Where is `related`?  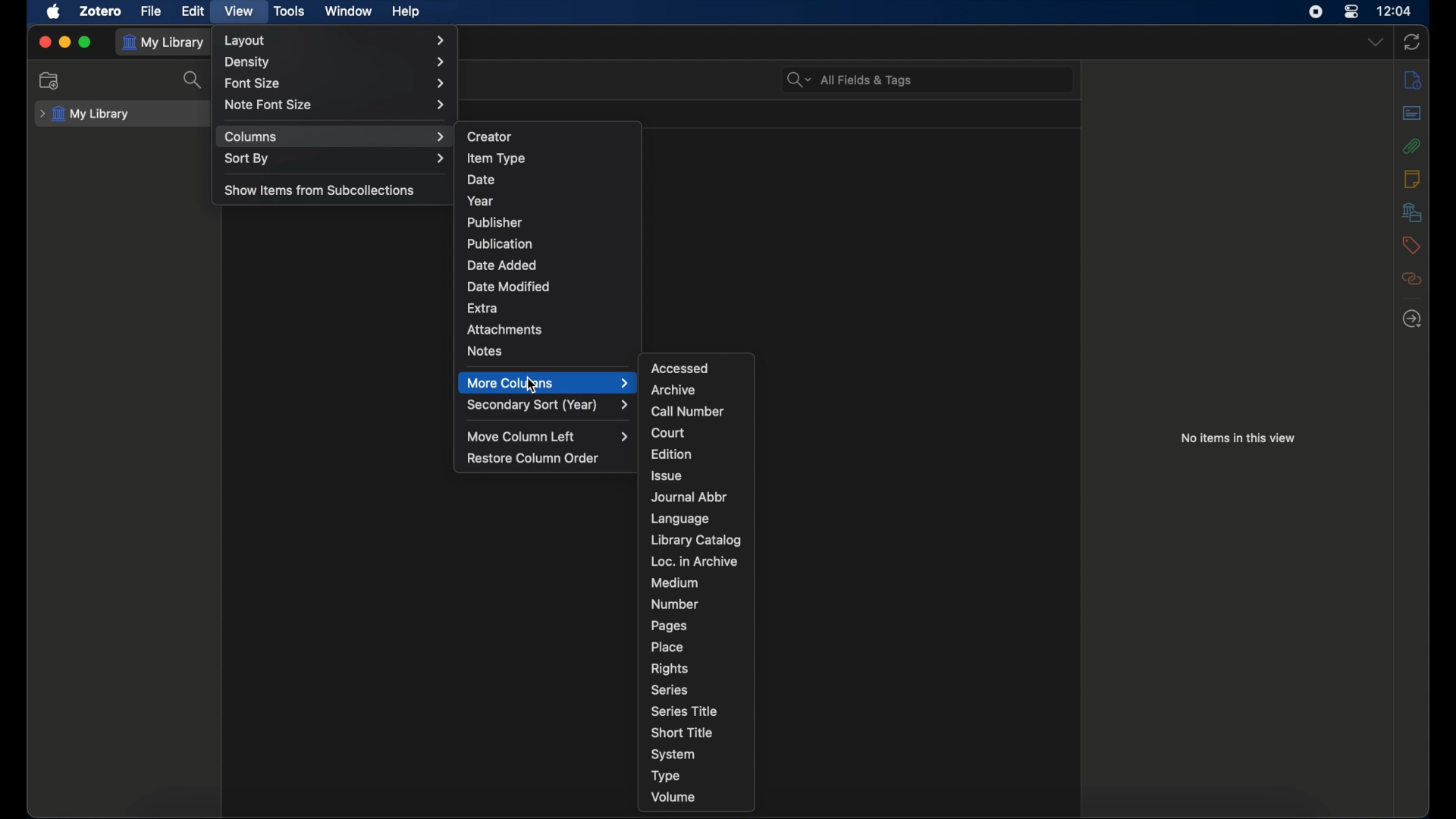
related is located at coordinates (1412, 279).